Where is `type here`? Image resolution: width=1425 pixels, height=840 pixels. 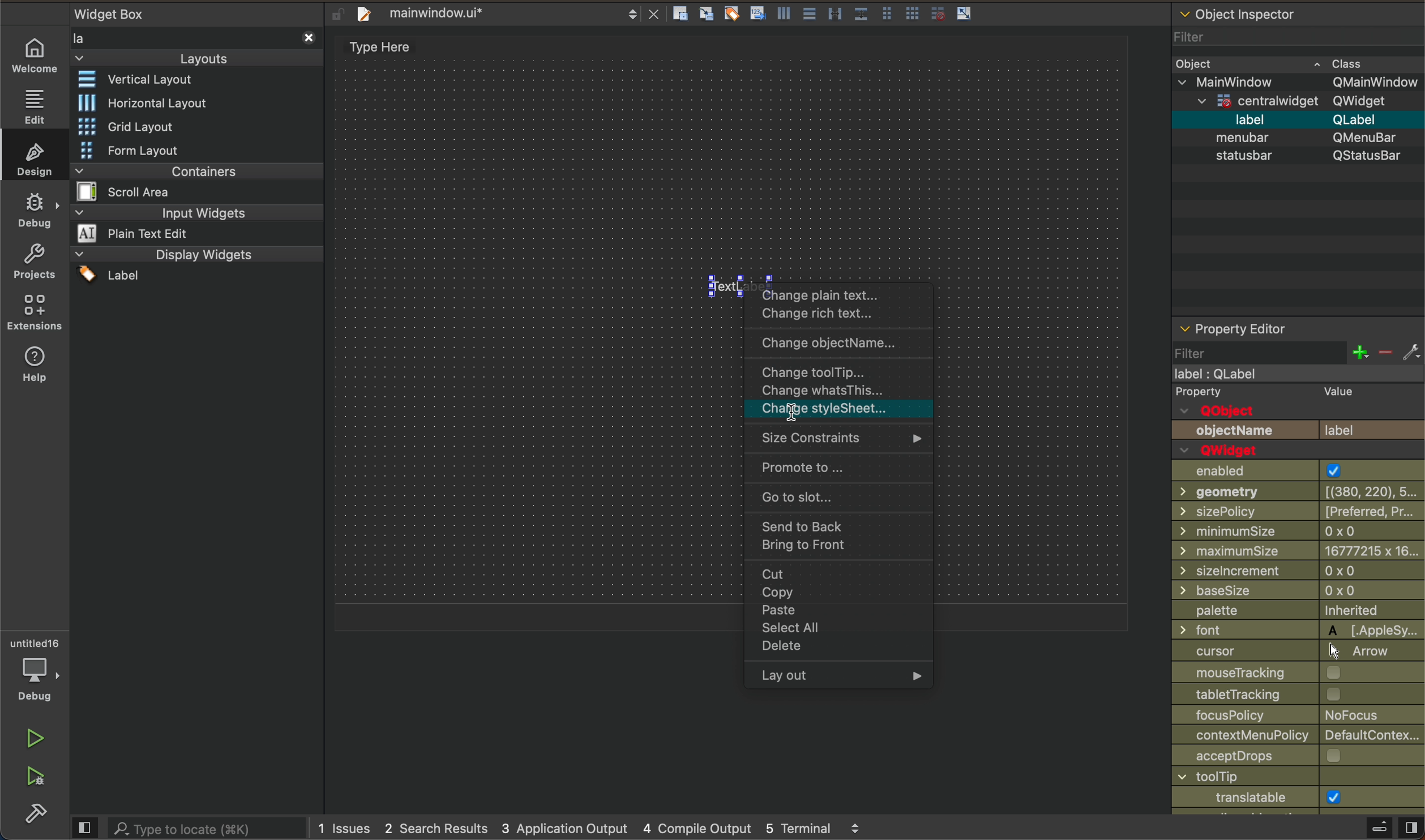
type here is located at coordinates (406, 47).